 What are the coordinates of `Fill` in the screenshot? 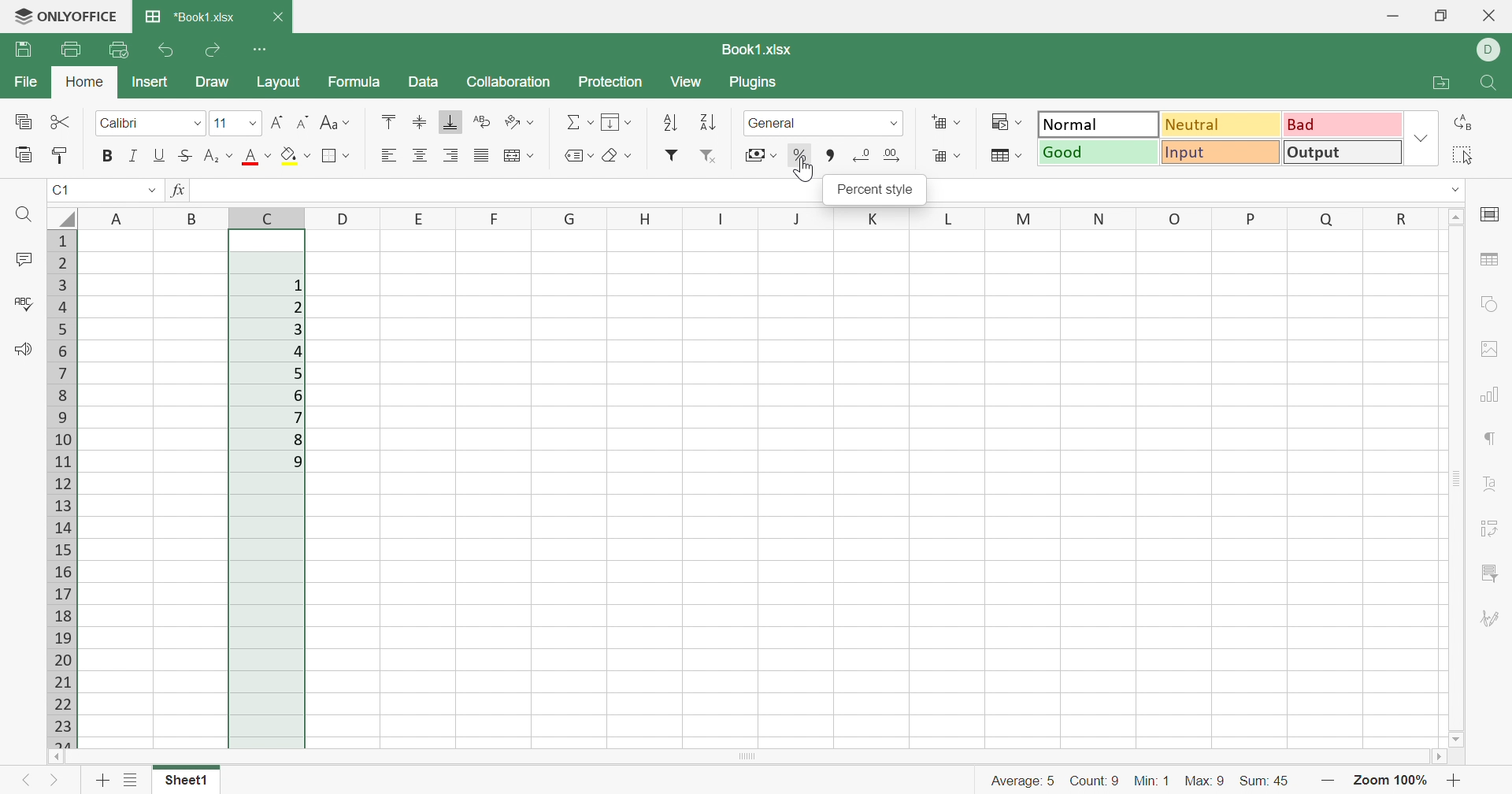 It's located at (617, 121).